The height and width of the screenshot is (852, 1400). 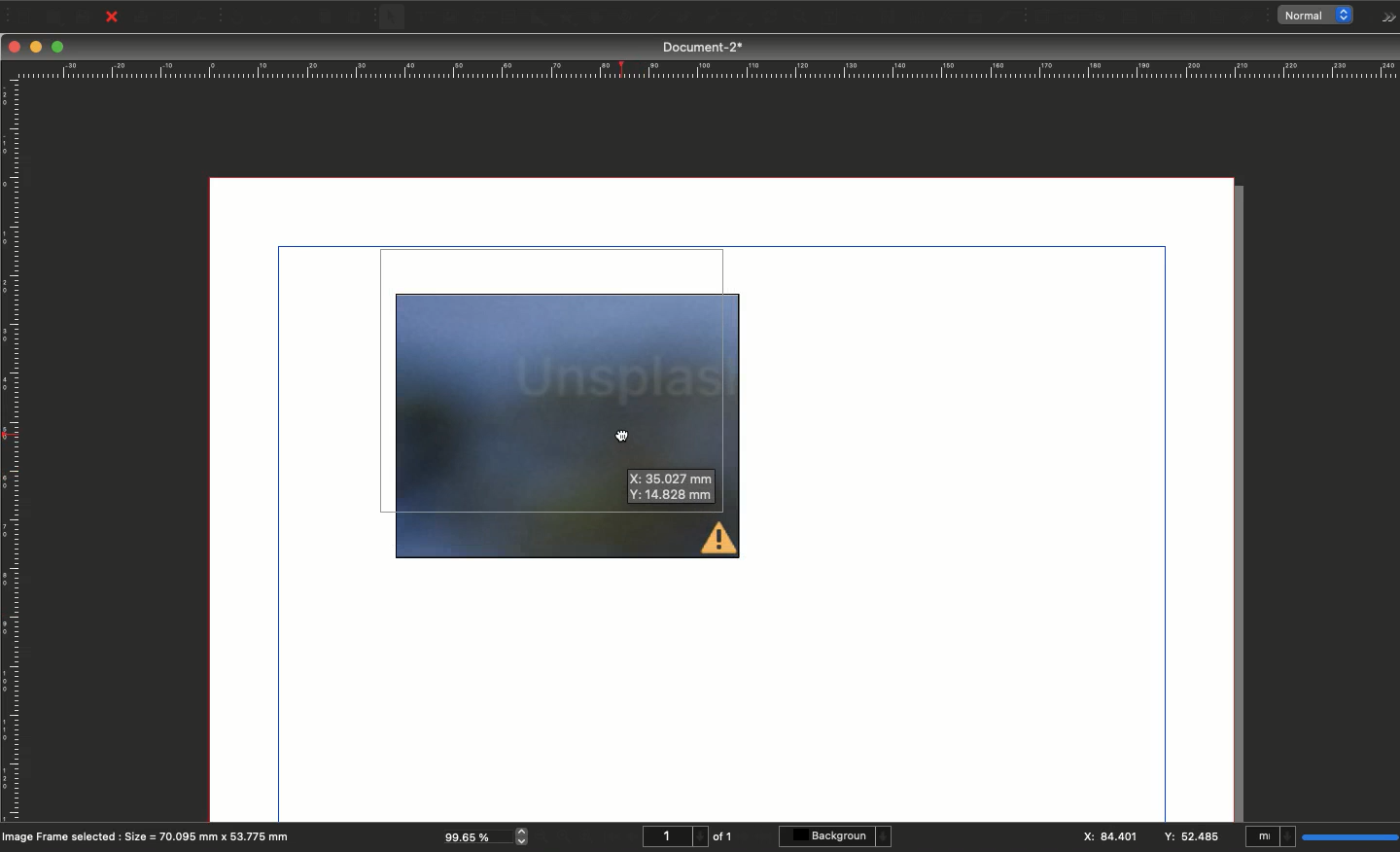 I want to click on image Frame selected : Size = 70.095 mm x 53.776 mm, so click(x=157, y=871).